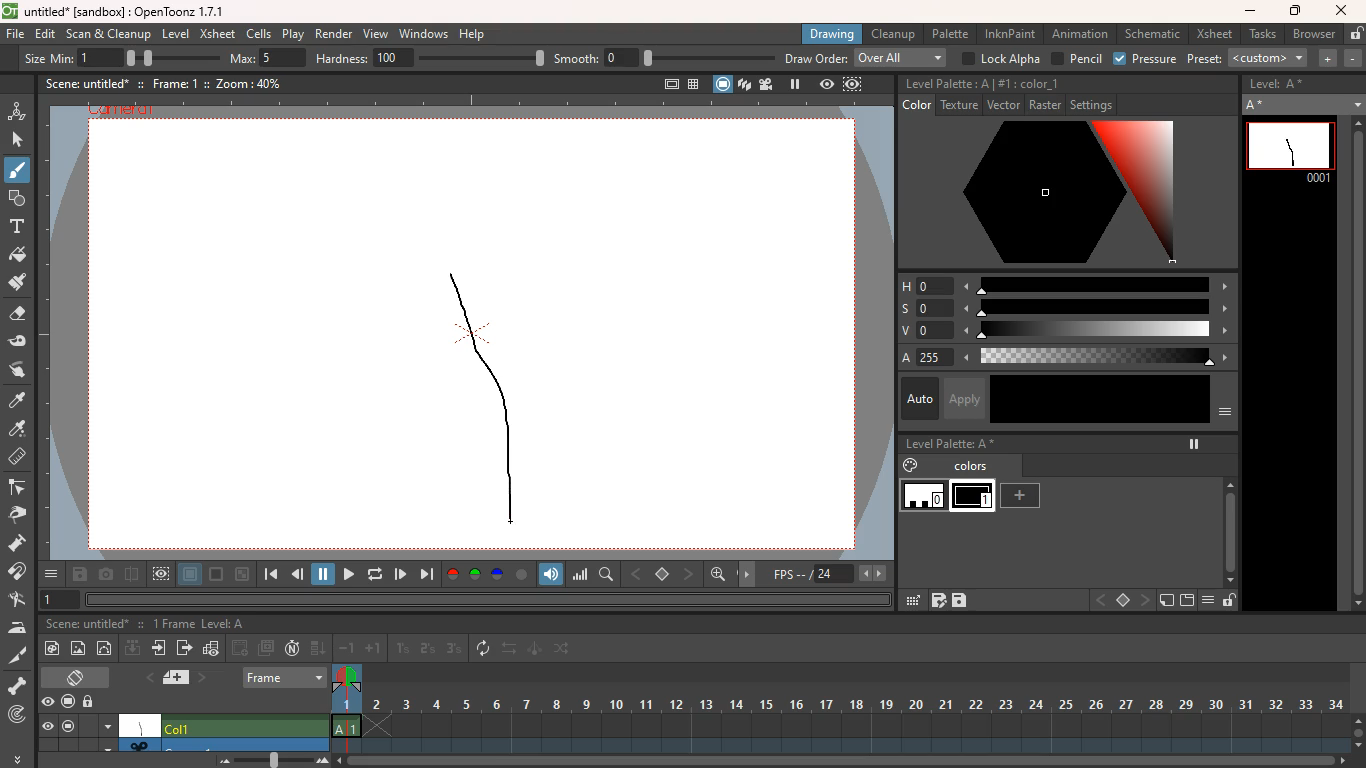  I want to click on pick, so click(23, 515).